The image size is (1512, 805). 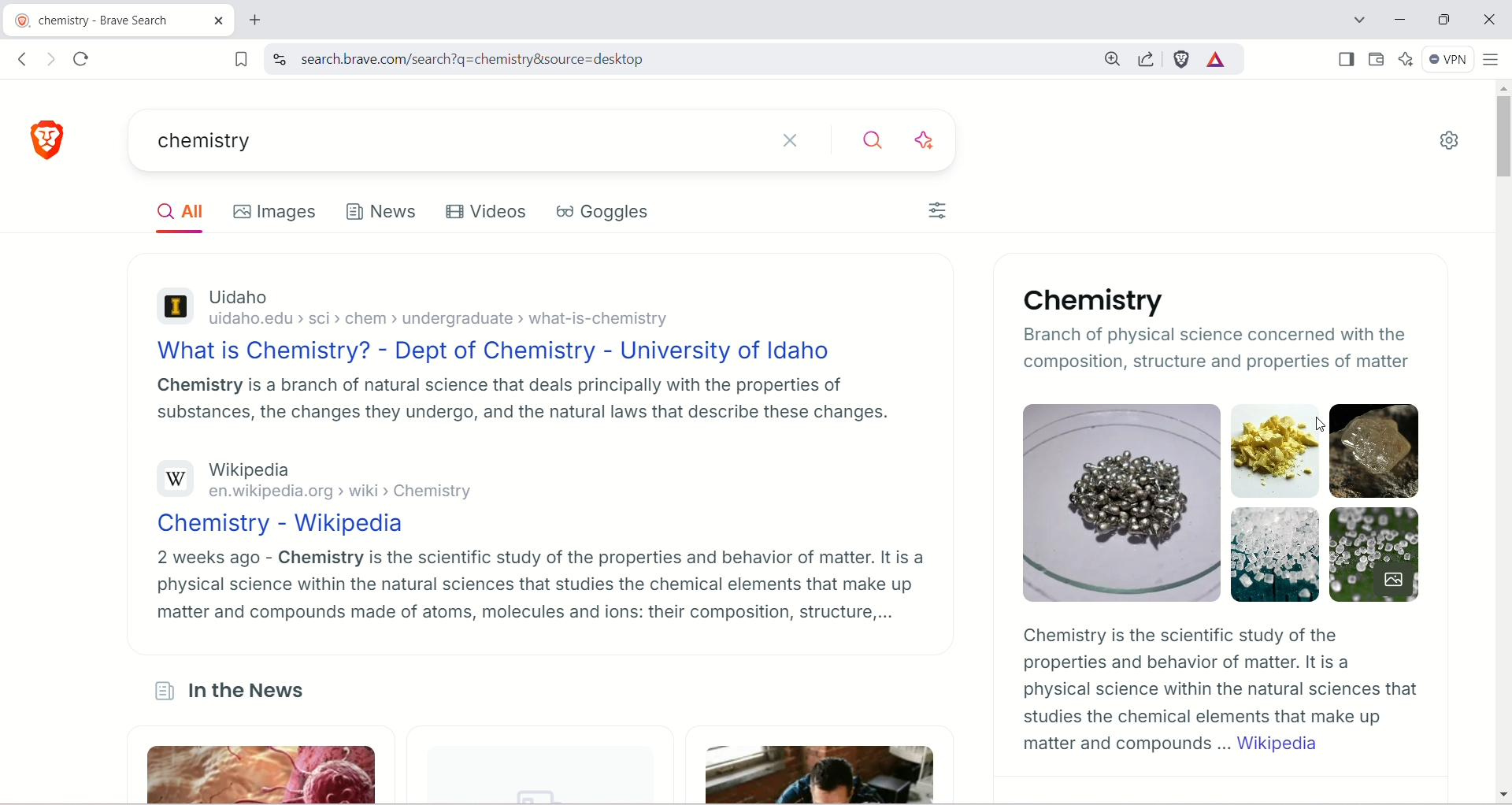 What do you see at coordinates (82, 60) in the screenshot?
I see `reload` at bounding box center [82, 60].